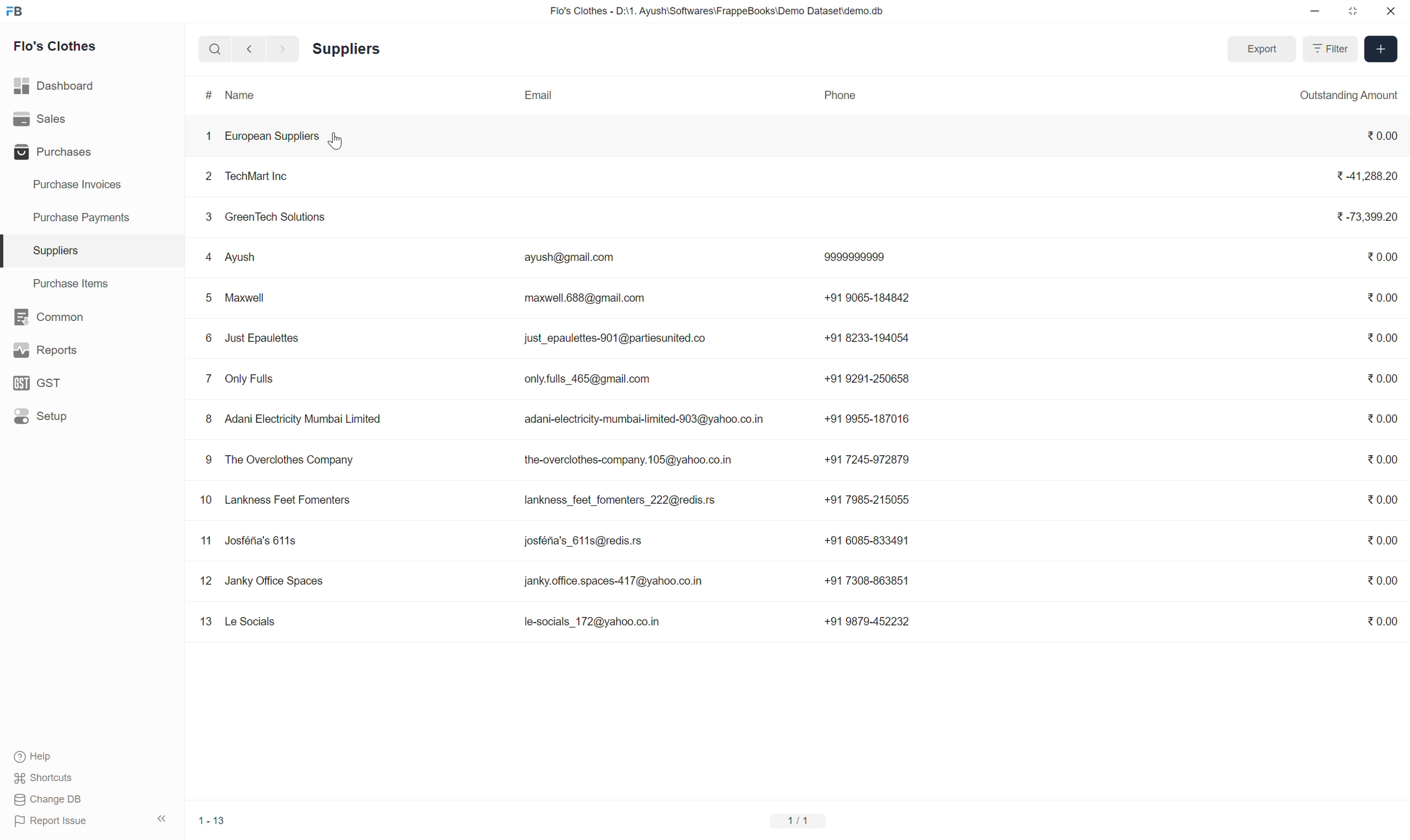 The width and height of the screenshot is (1410, 840). I want to click on josféna's 611s@redis.rs, so click(578, 539).